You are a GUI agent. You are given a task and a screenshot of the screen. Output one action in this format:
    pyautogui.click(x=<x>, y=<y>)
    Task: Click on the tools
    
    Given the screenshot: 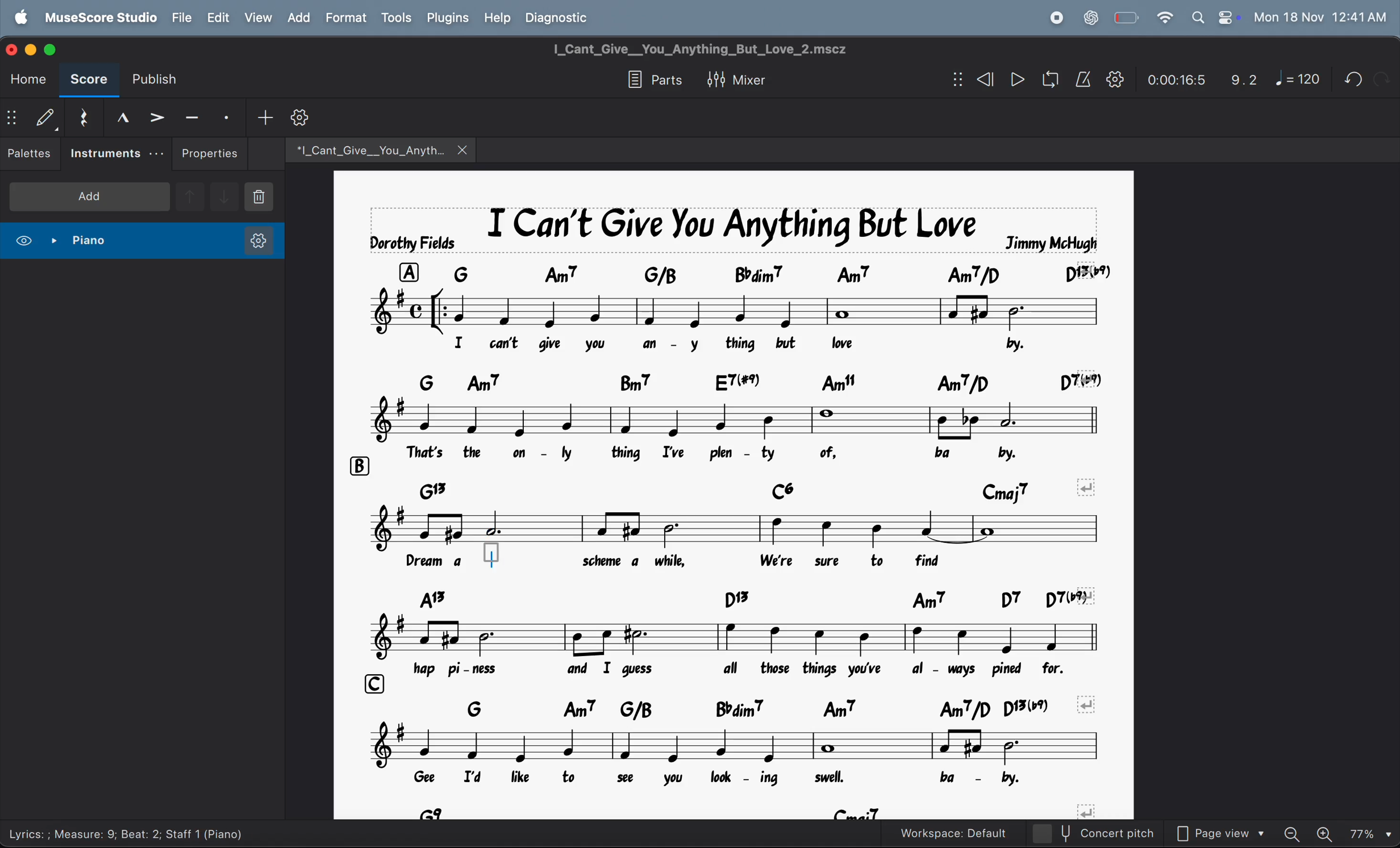 What is the action you would take?
    pyautogui.click(x=398, y=18)
    